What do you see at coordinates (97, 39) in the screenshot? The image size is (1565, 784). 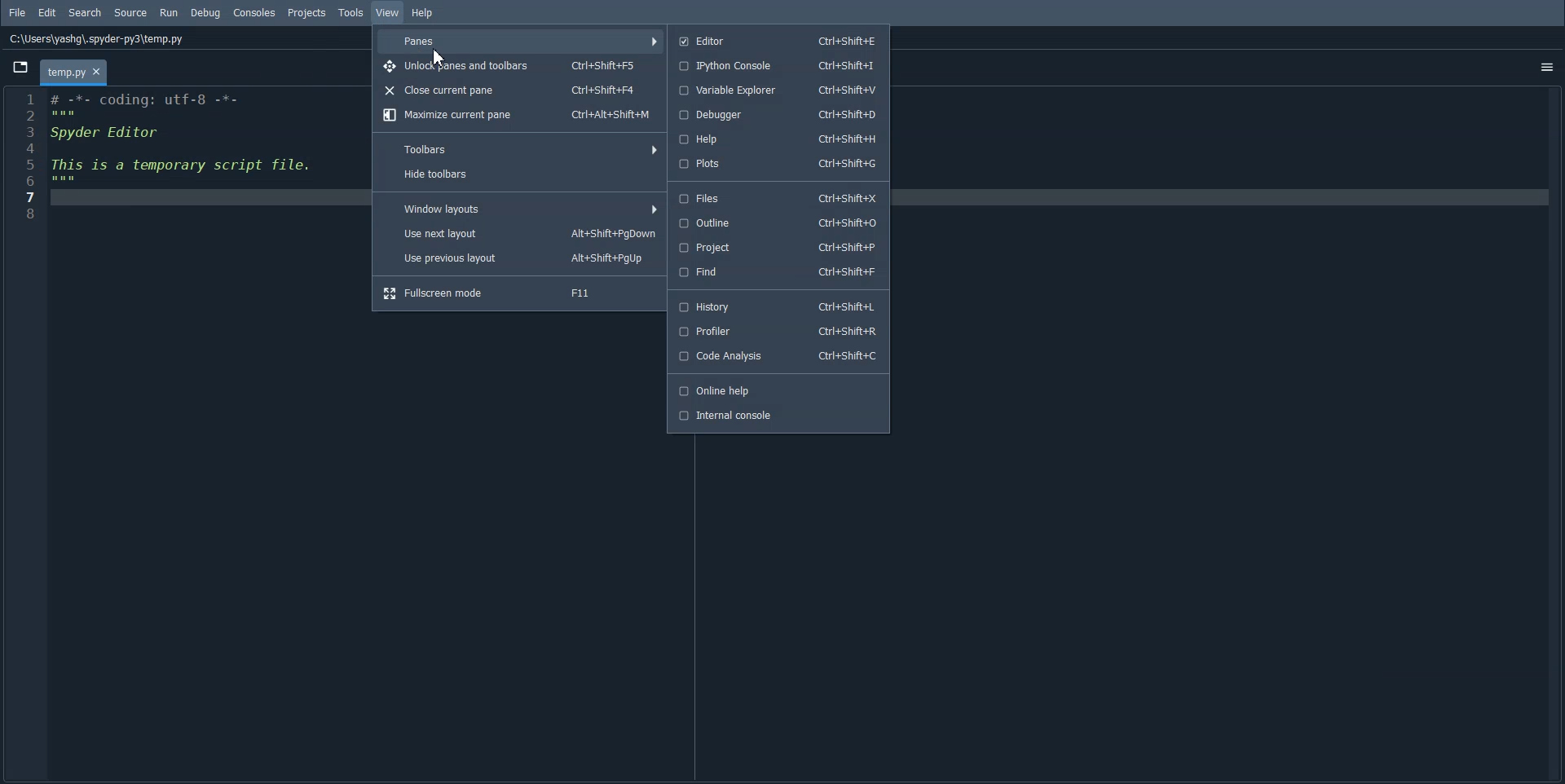 I see `File path address` at bounding box center [97, 39].